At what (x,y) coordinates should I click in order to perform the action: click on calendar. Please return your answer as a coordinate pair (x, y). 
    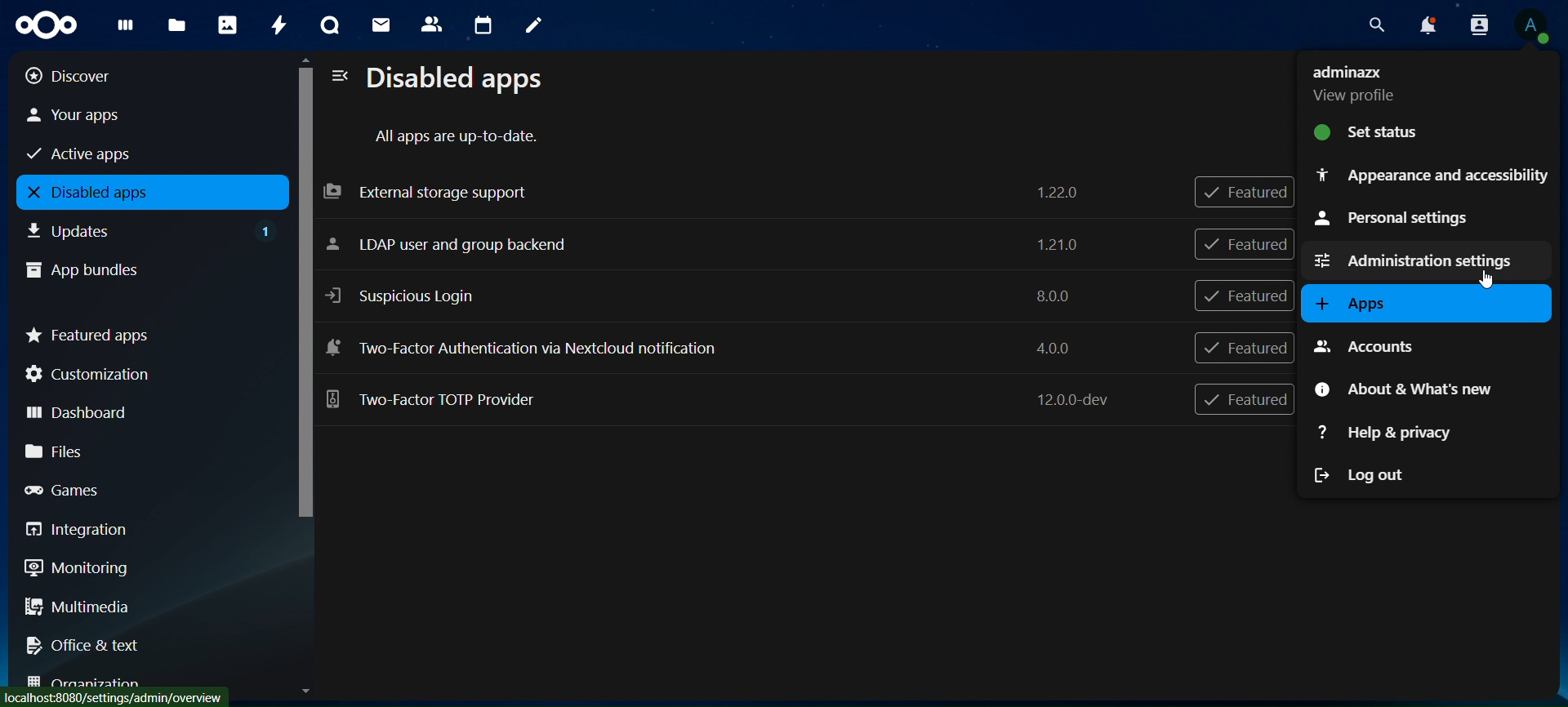
    Looking at the image, I should click on (484, 26).